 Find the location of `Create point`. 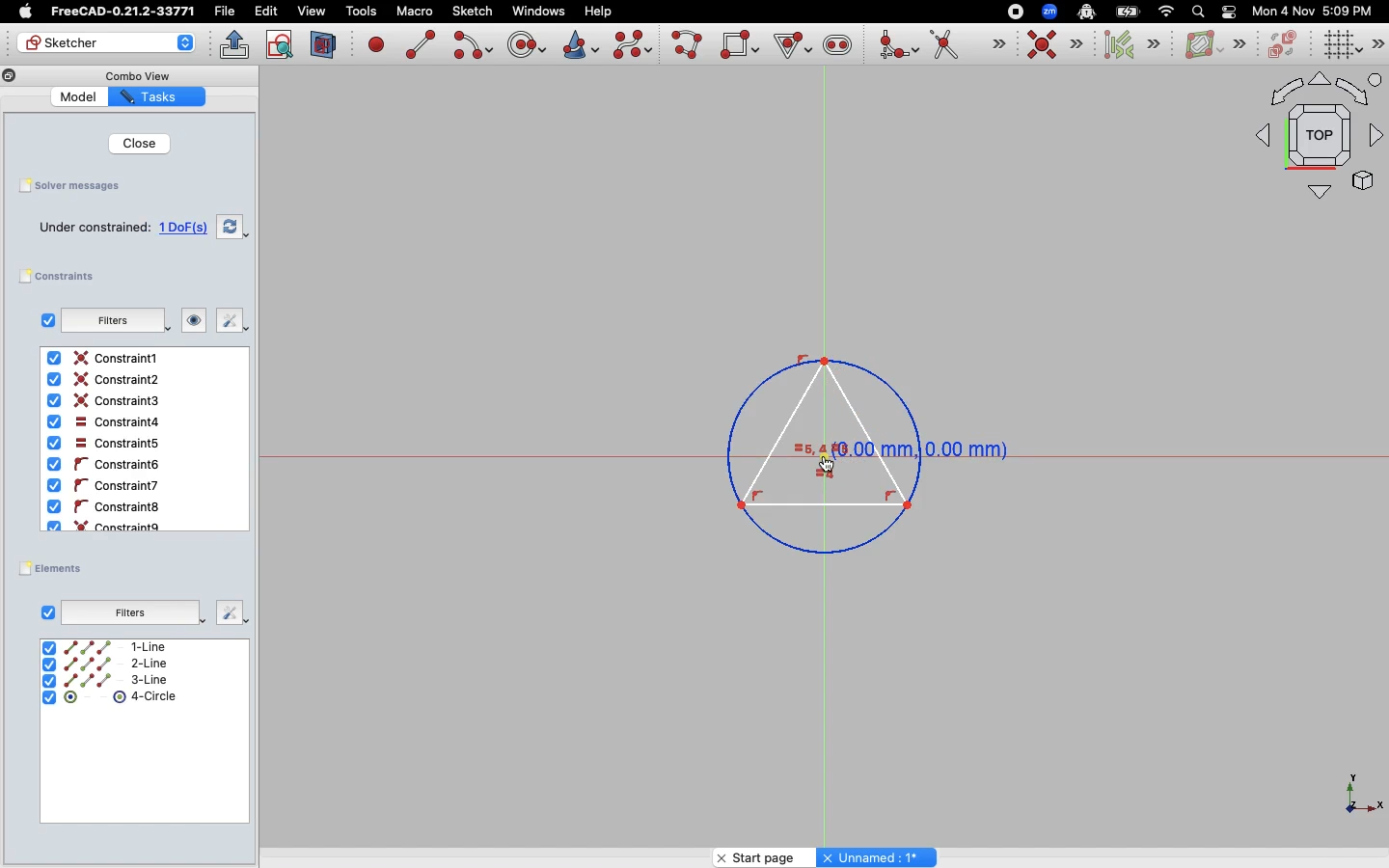

Create point is located at coordinates (377, 43).